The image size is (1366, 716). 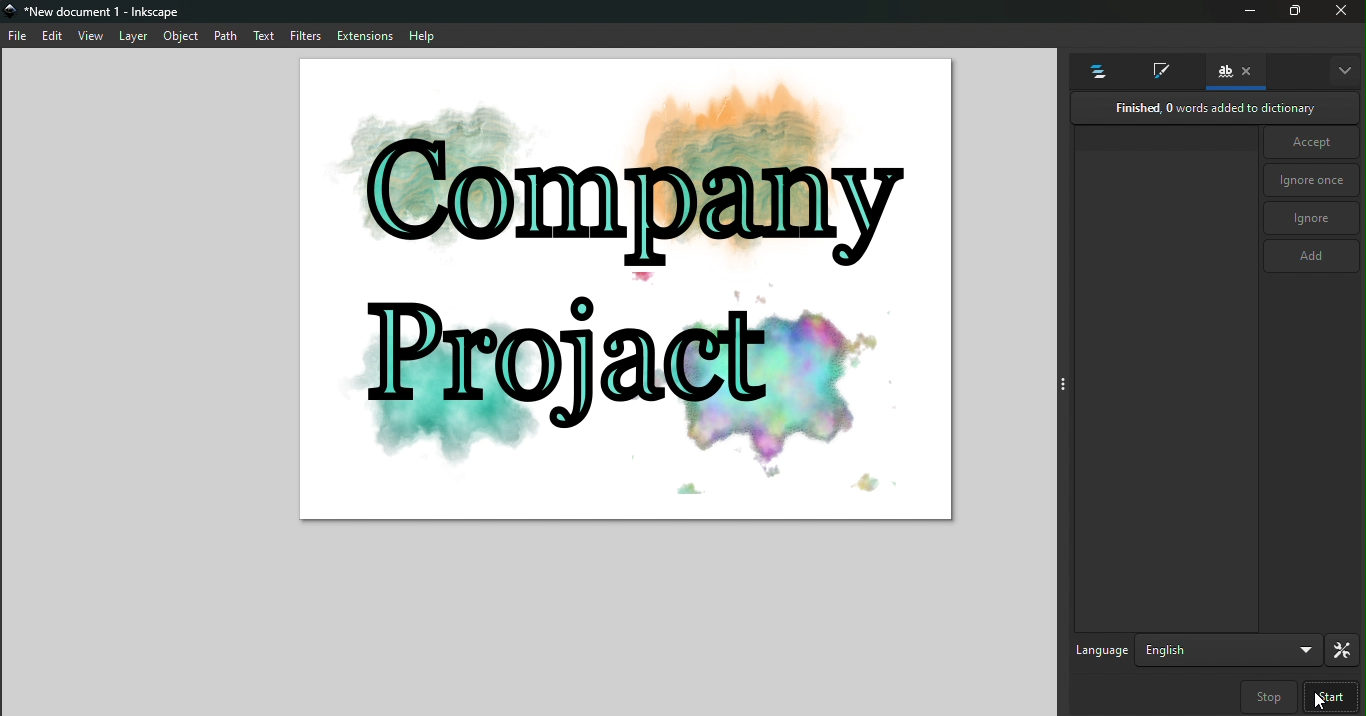 What do you see at coordinates (1097, 70) in the screenshot?
I see `Objects and layers` at bounding box center [1097, 70].